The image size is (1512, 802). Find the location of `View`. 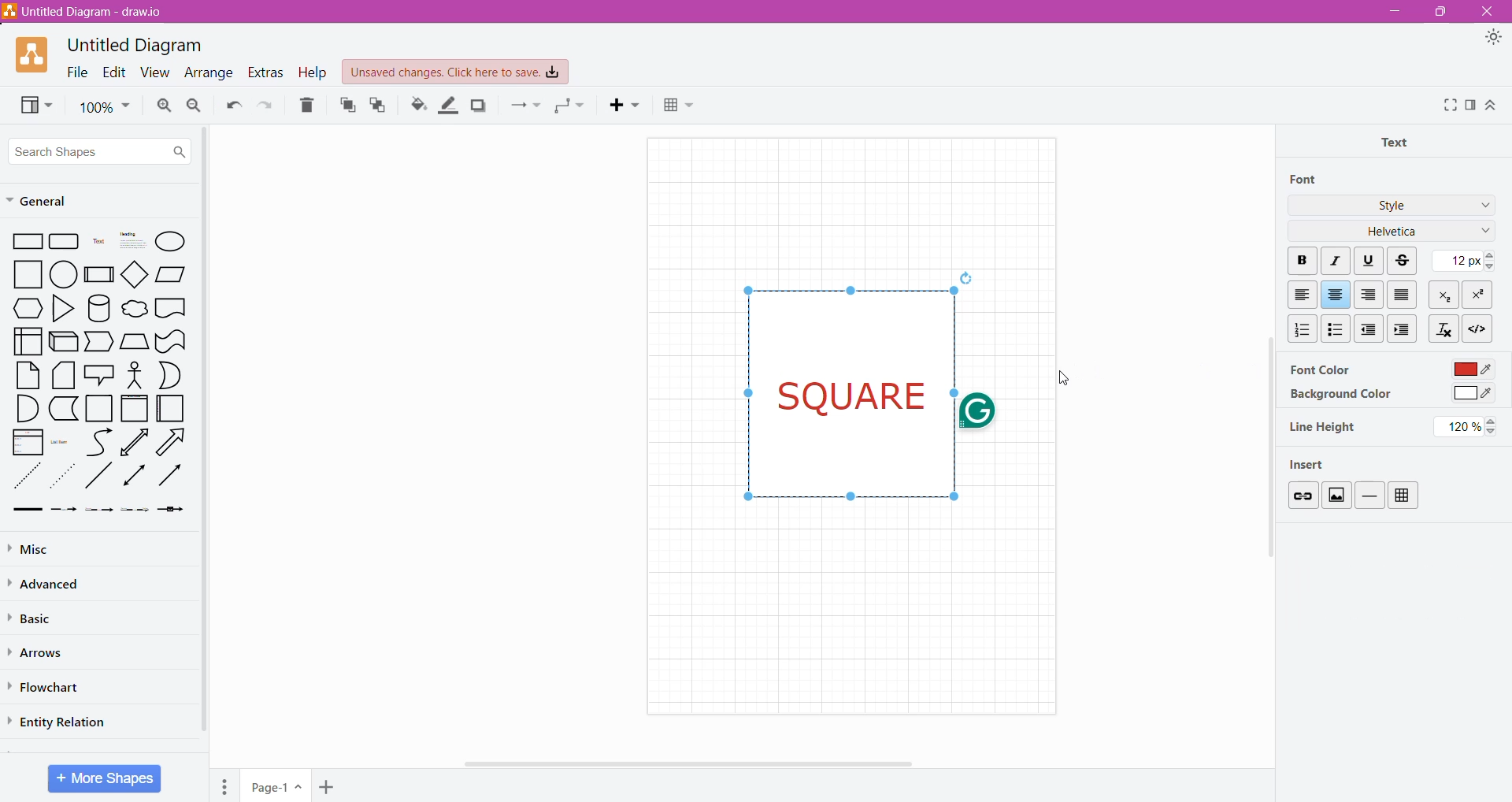

View is located at coordinates (156, 71).